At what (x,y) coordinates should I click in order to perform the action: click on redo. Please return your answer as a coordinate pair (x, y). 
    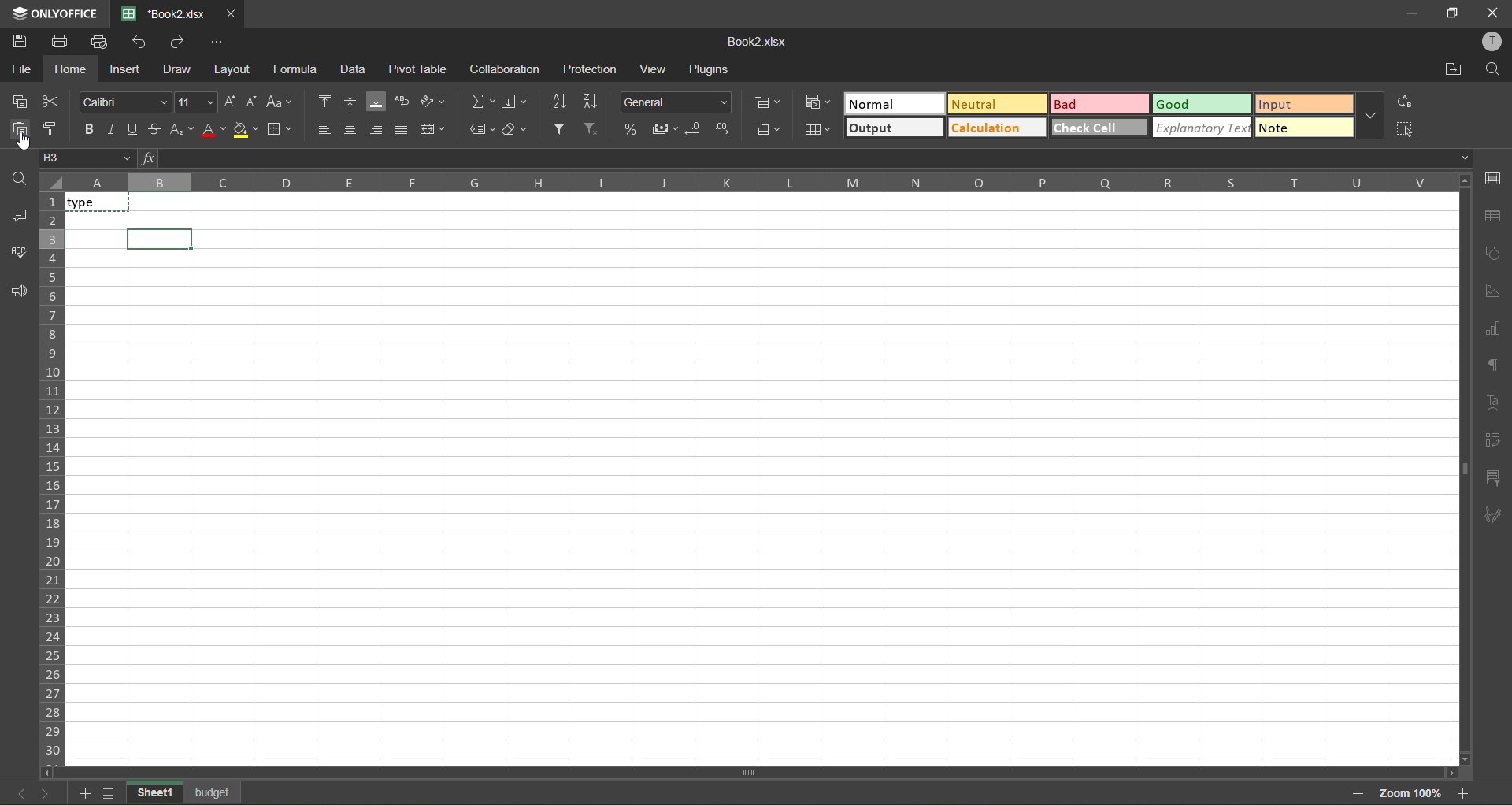
    Looking at the image, I should click on (178, 43).